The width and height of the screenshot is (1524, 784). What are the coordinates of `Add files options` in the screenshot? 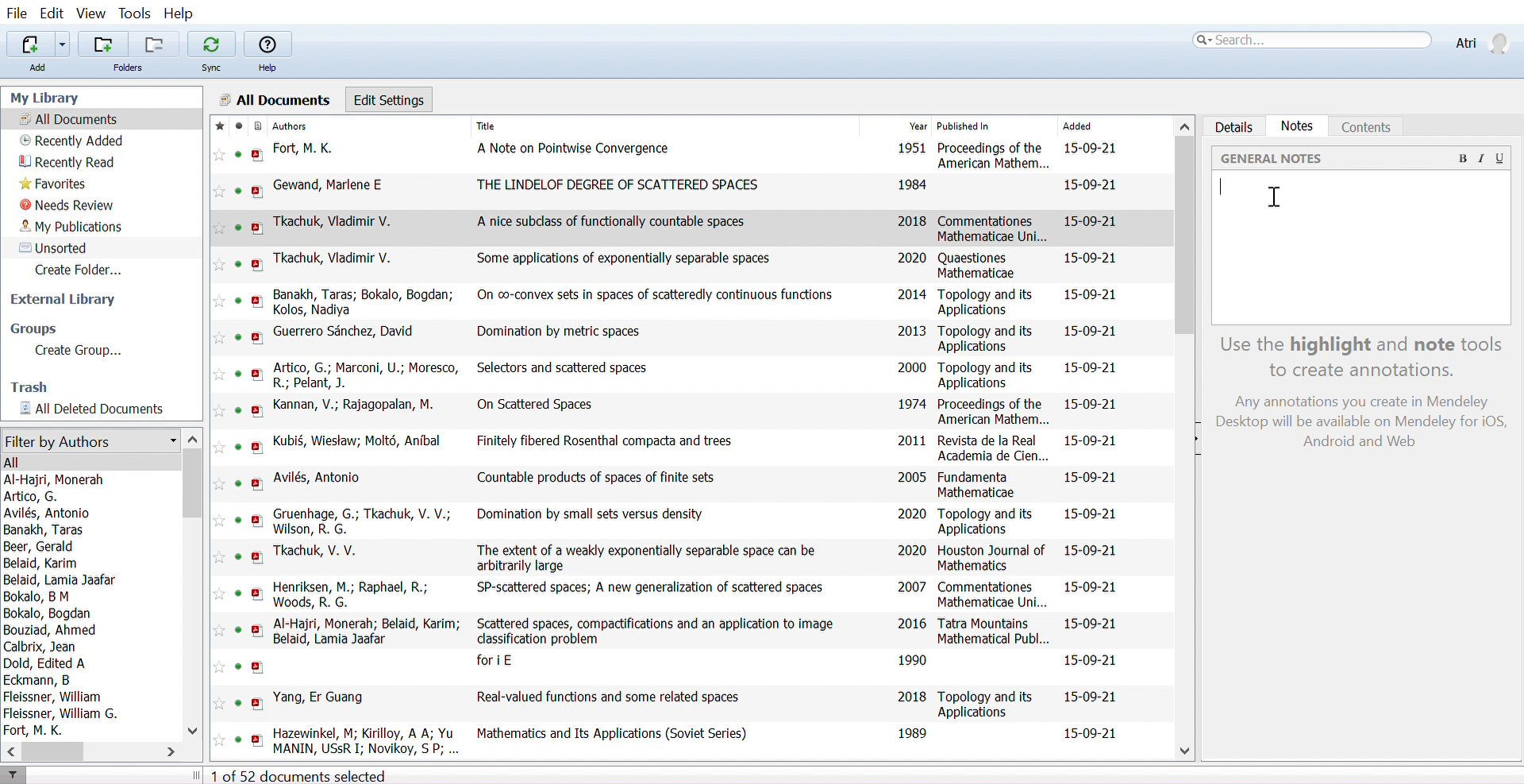 It's located at (65, 44).